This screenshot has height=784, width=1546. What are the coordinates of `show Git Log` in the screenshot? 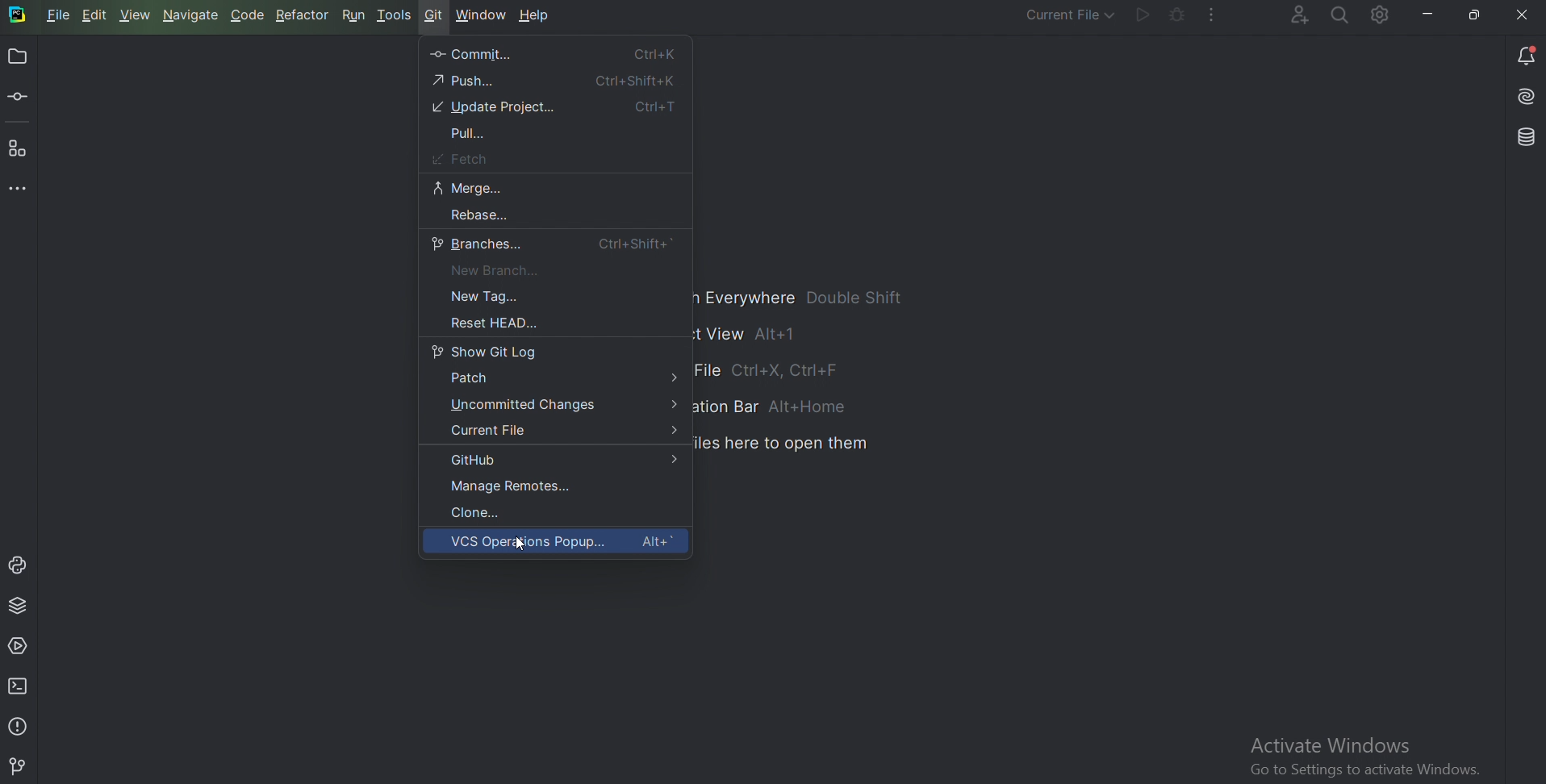 It's located at (488, 352).